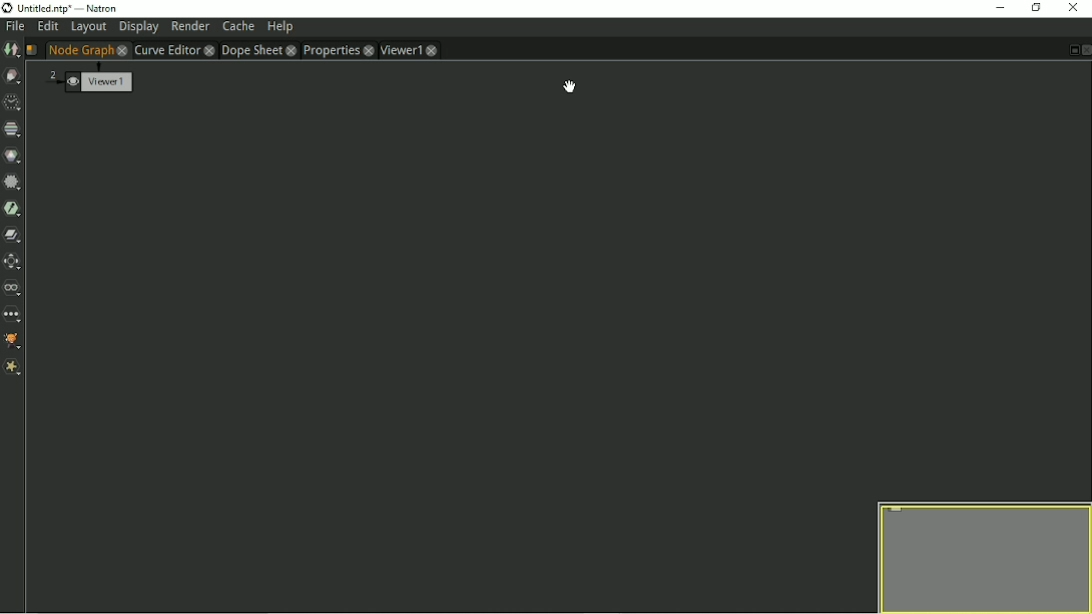 The height and width of the screenshot is (614, 1092). Describe the element at coordinates (979, 556) in the screenshot. I see `Preview` at that location.